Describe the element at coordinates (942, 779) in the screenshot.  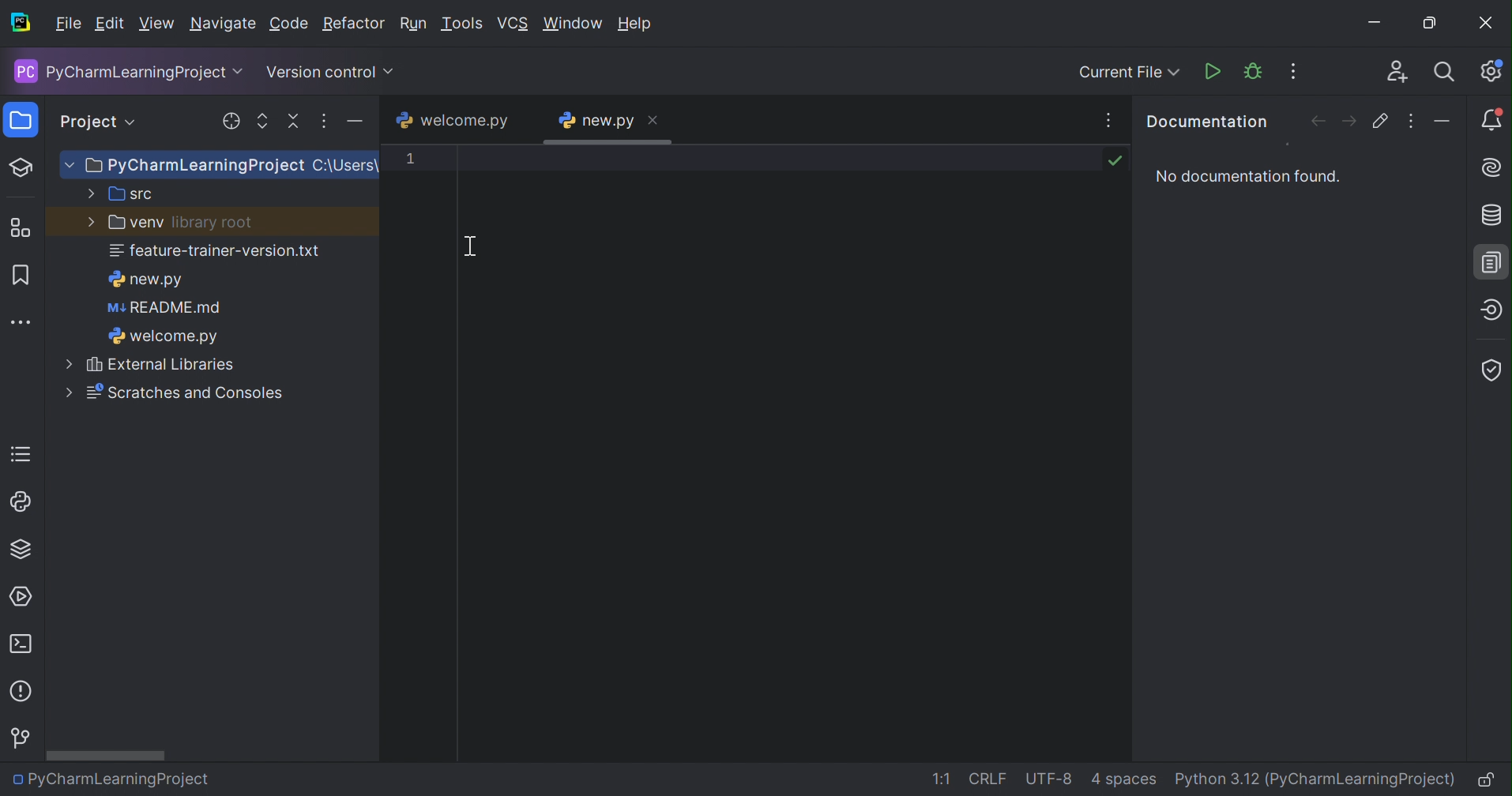
I see `1:1` at that location.